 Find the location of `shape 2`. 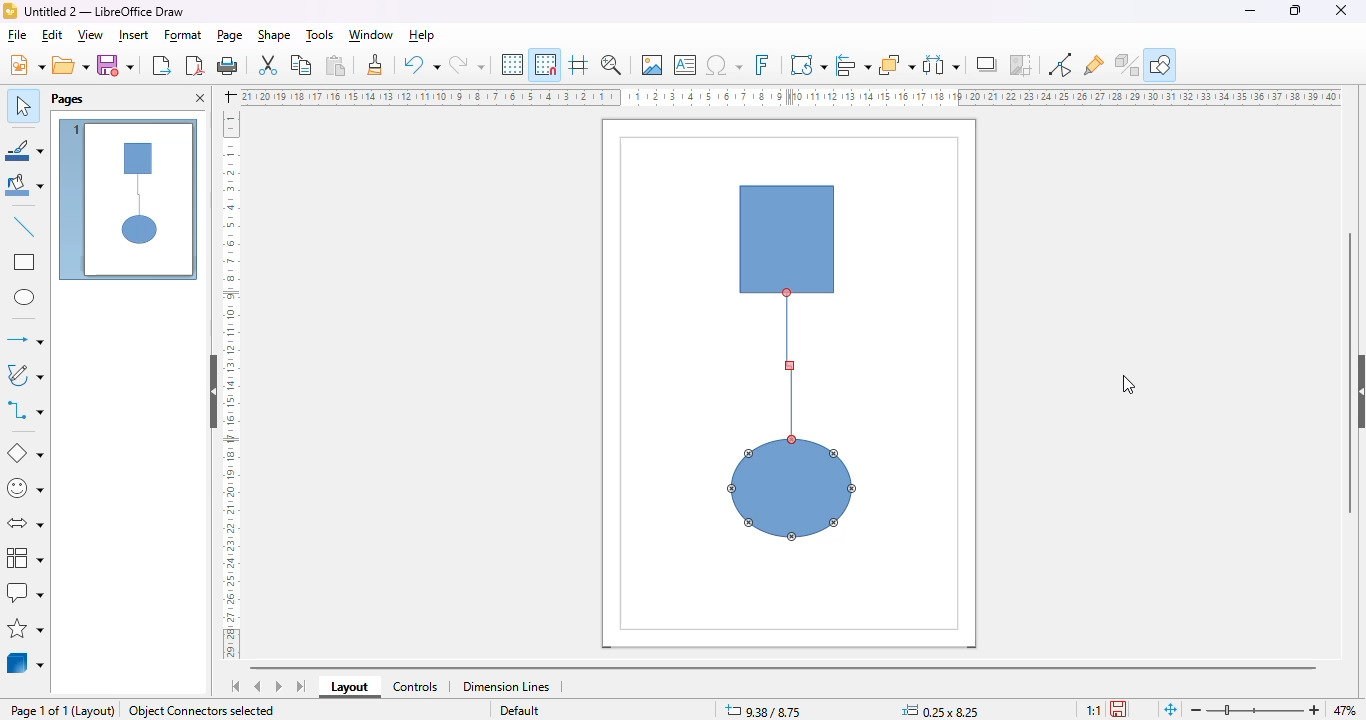

shape 2 is located at coordinates (793, 489).